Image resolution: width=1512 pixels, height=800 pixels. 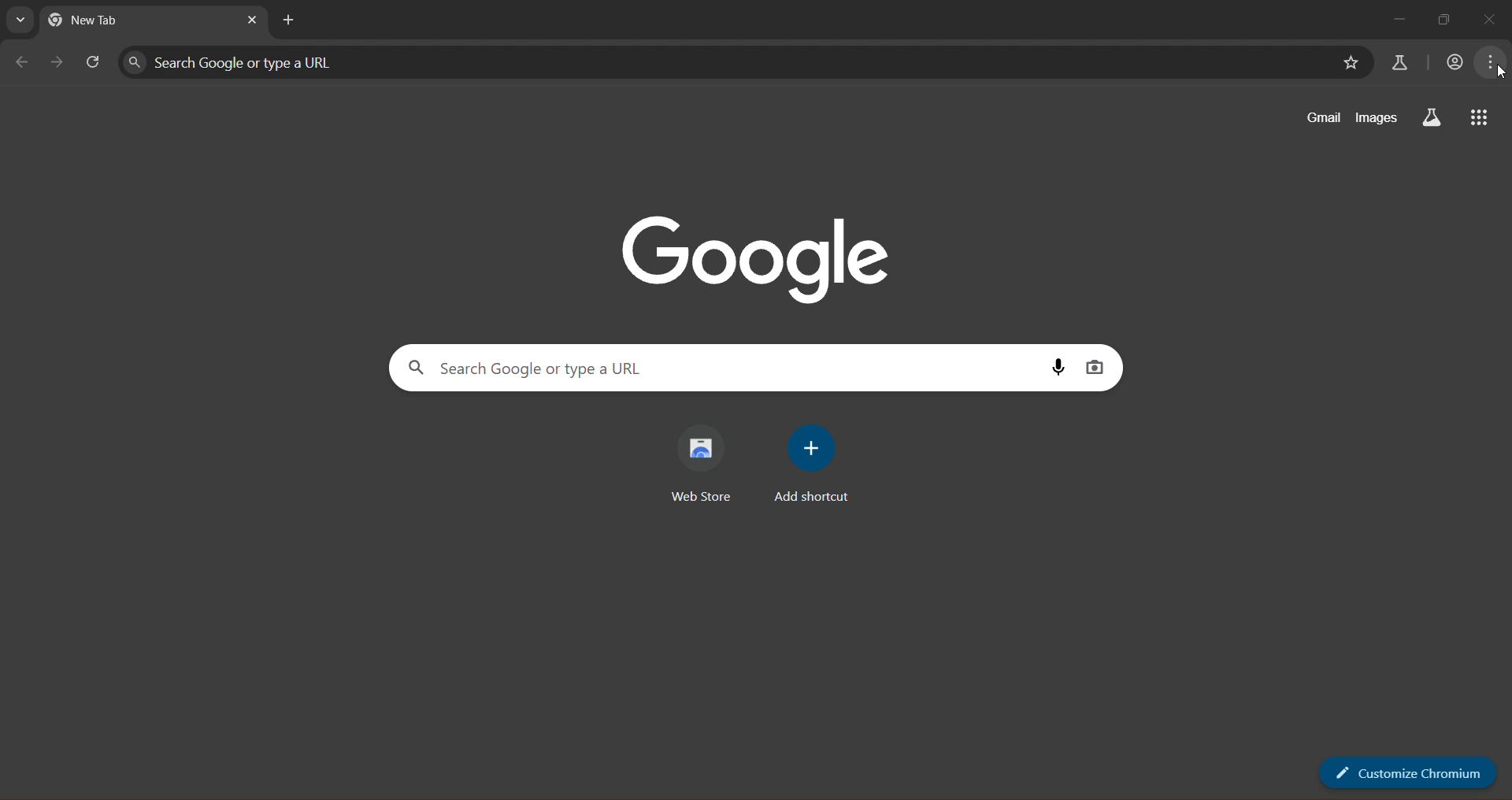 What do you see at coordinates (1058, 365) in the screenshot?
I see `voice search` at bounding box center [1058, 365].